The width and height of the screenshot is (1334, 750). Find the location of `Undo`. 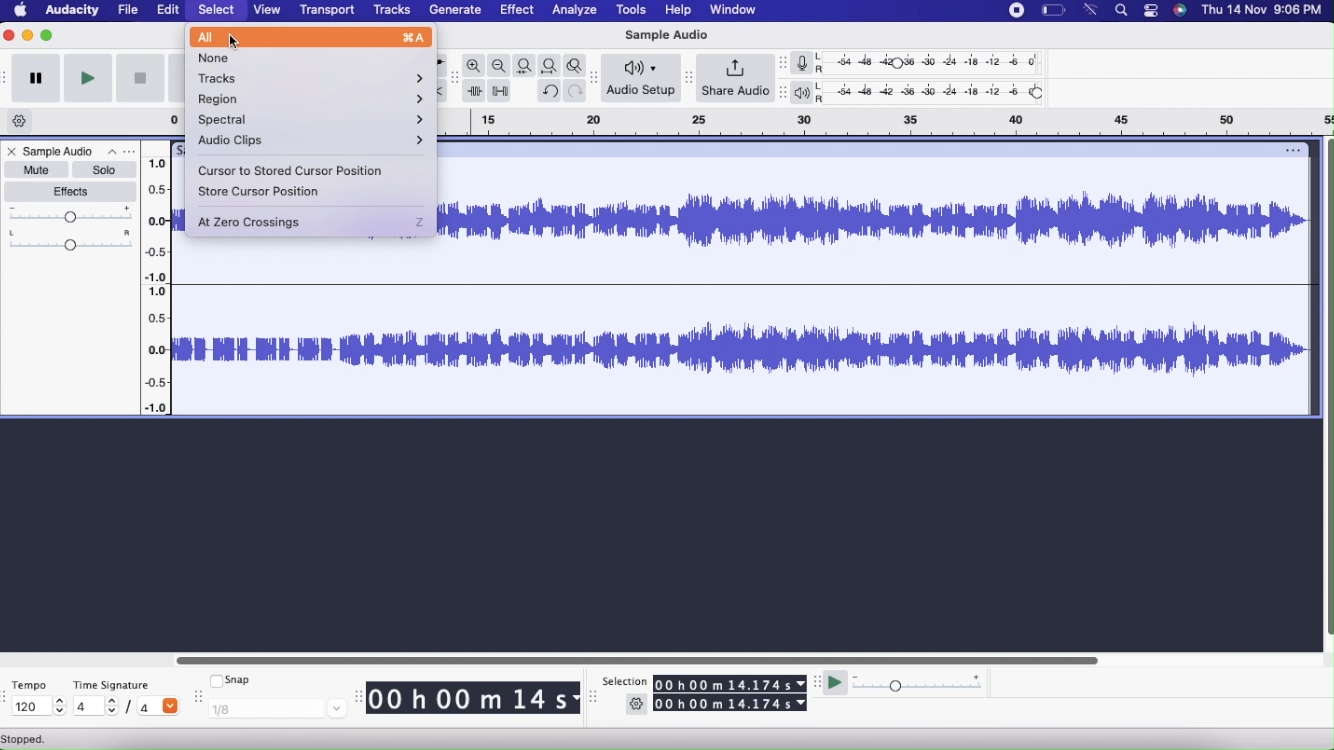

Undo is located at coordinates (551, 90).